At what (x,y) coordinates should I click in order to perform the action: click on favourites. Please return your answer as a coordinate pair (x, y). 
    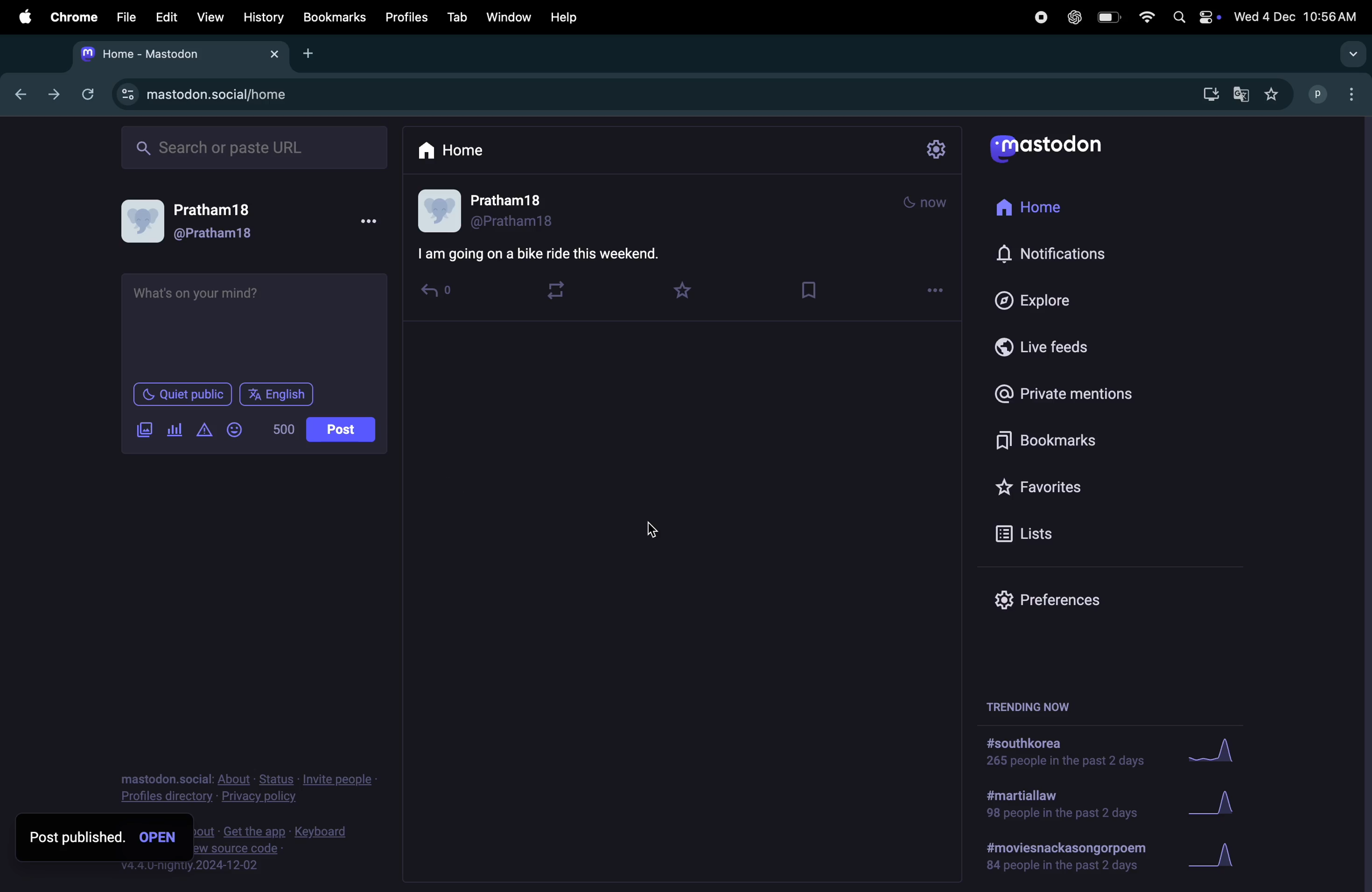
    Looking at the image, I should click on (1273, 93).